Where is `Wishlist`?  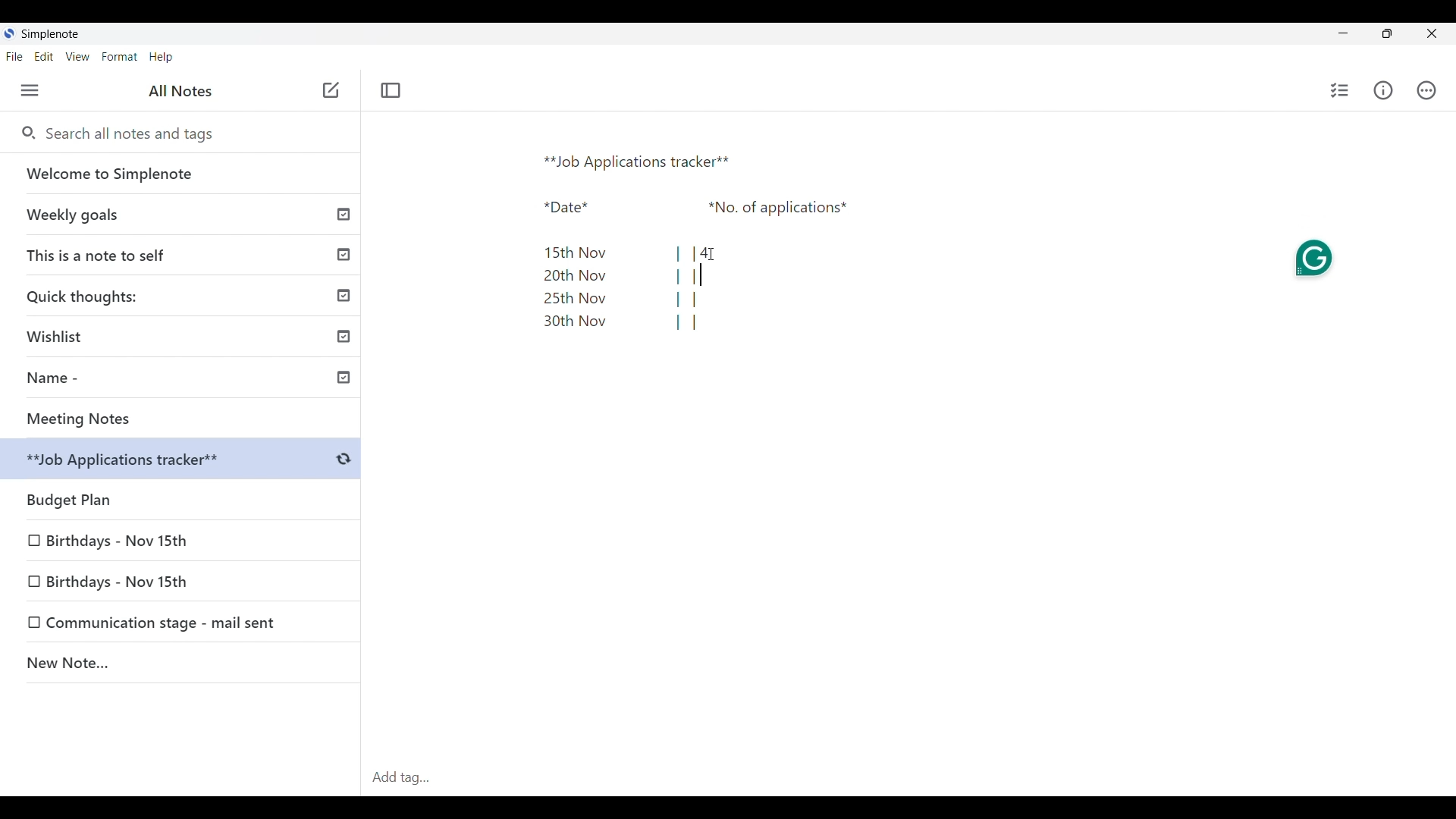
Wishlist is located at coordinates (186, 334).